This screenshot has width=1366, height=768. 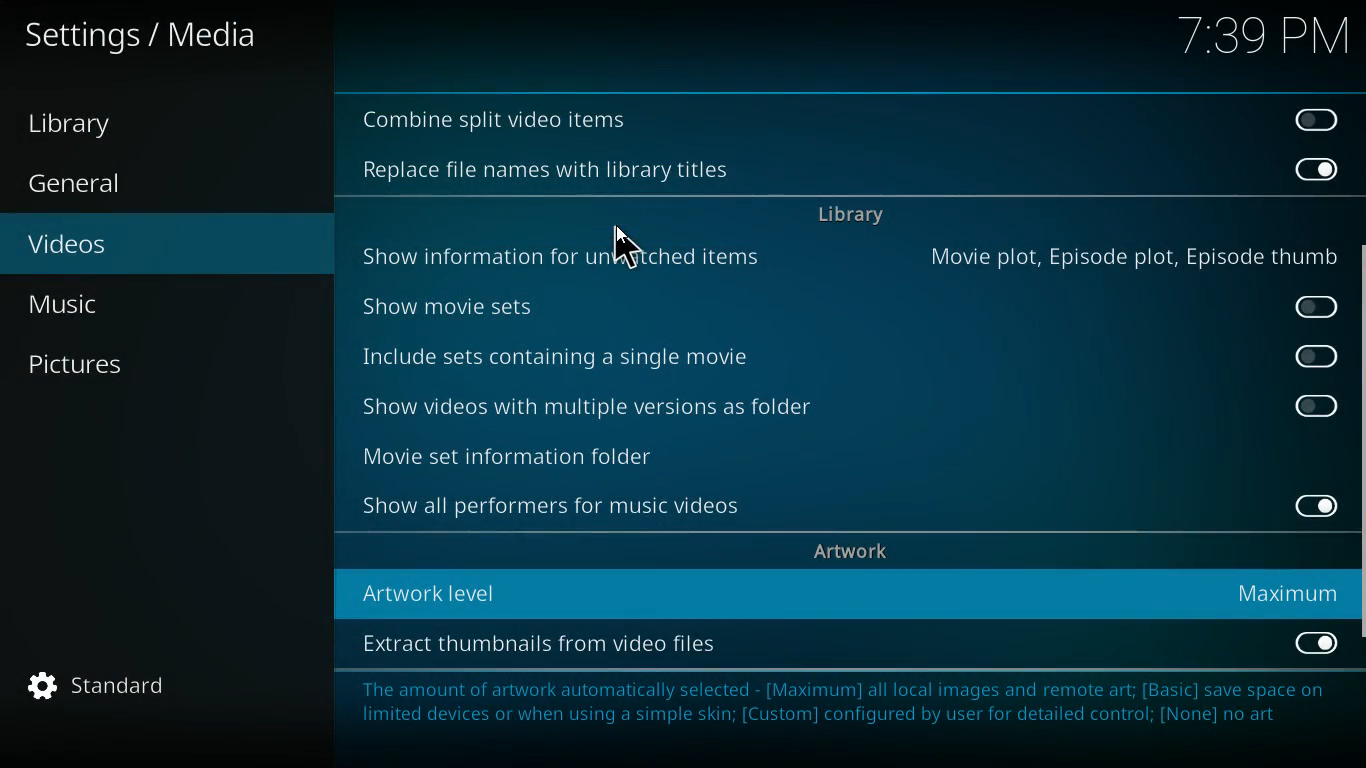 What do you see at coordinates (604, 408) in the screenshot?
I see `show videos` at bounding box center [604, 408].